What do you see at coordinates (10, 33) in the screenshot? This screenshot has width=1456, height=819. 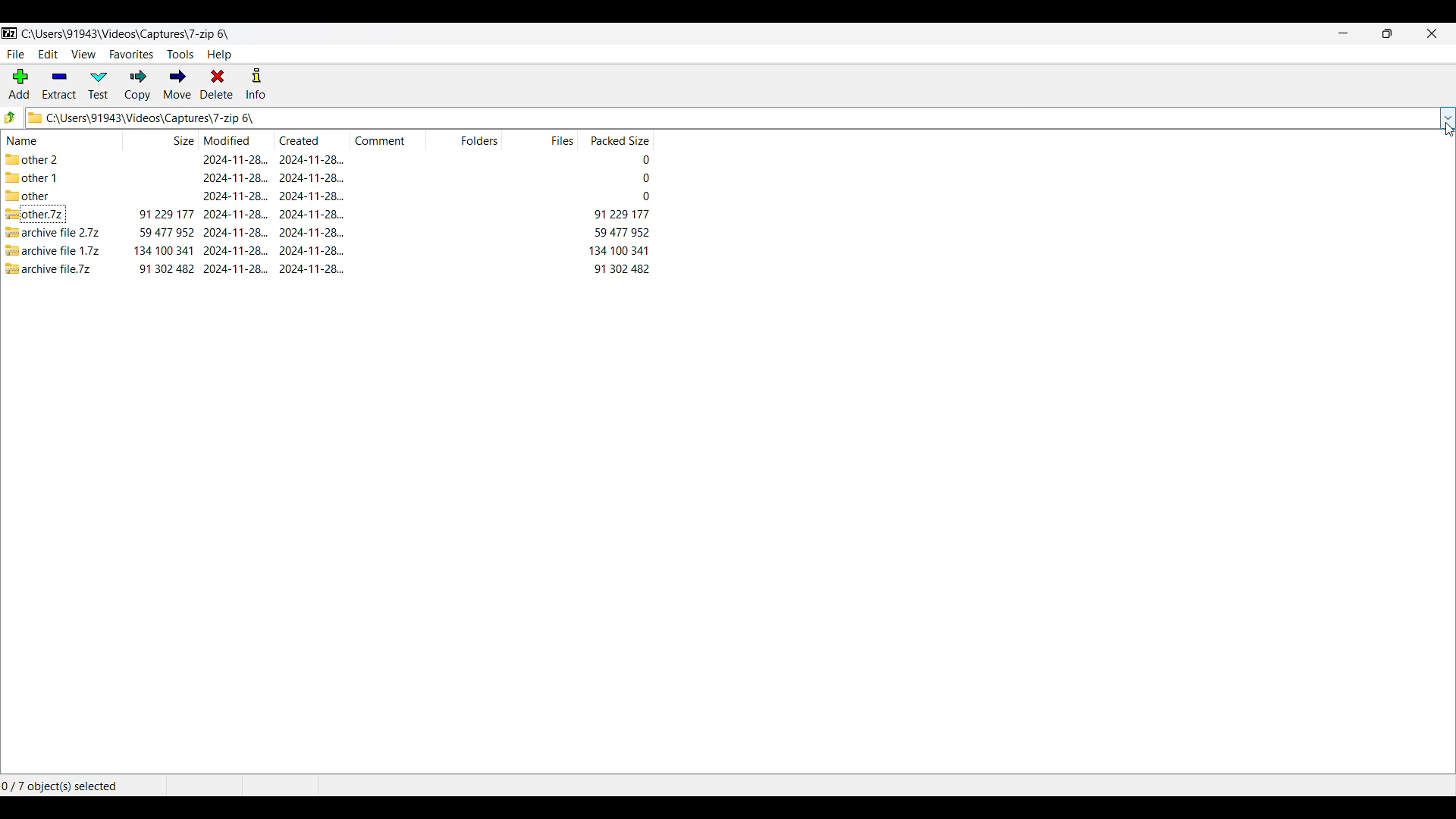 I see `Software logo` at bounding box center [10, 33].